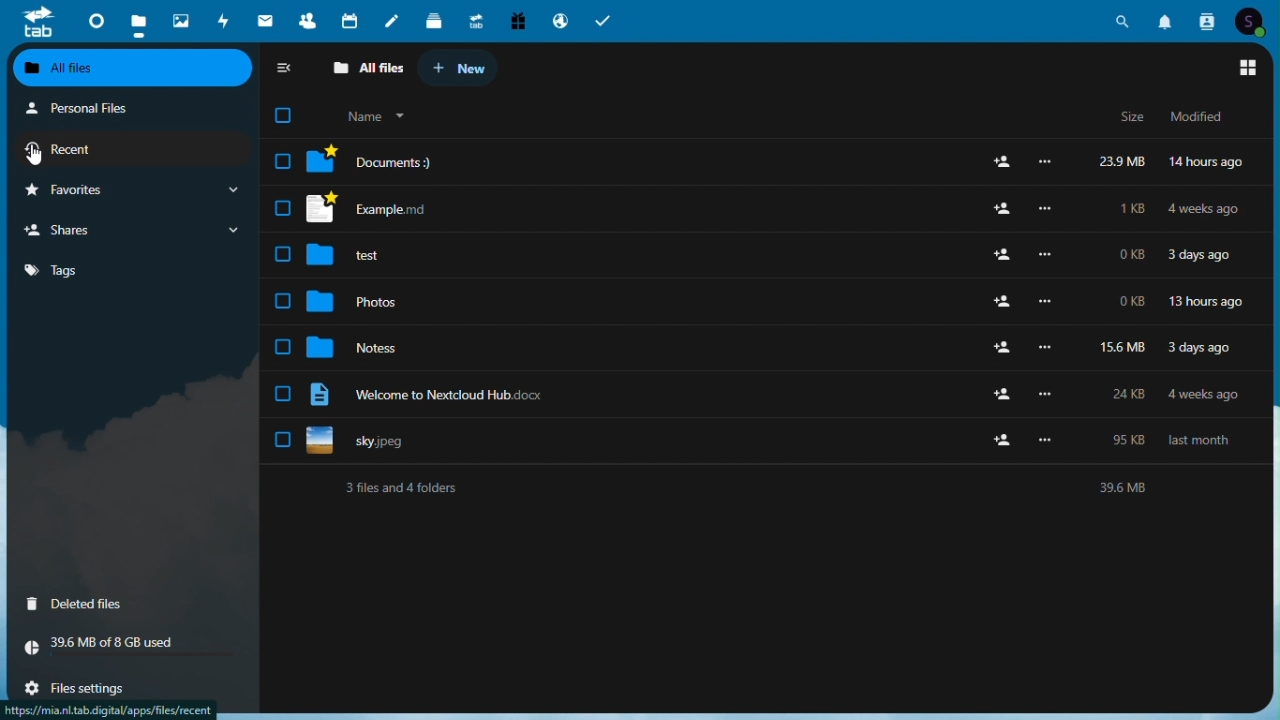 This screenshot has width=1280, height=720. Describe the element at coordinates (283, 255) in the screenshot. I see `checkbox` at that location.